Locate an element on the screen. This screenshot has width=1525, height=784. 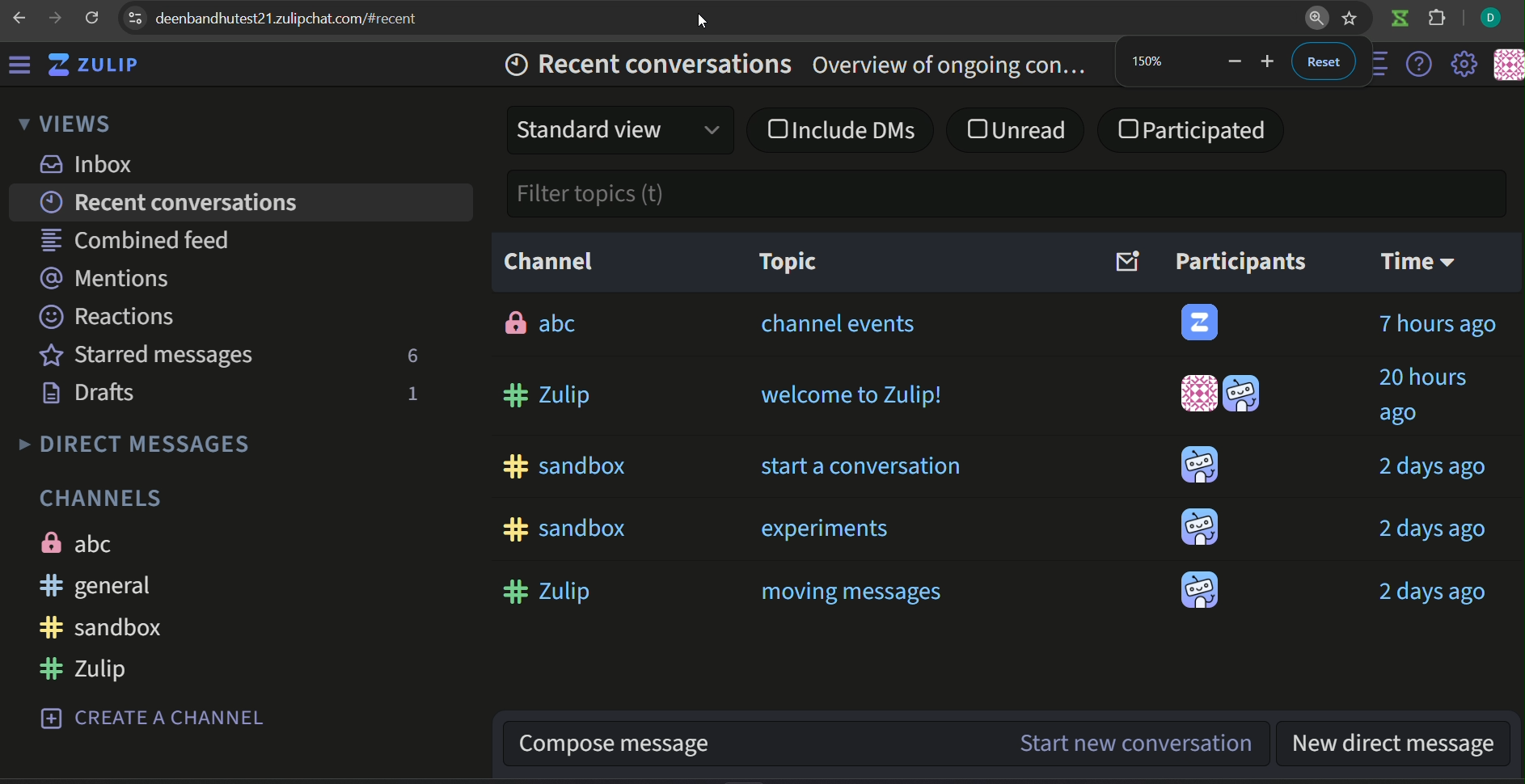
#zulip is located at coordinates (99, 668).